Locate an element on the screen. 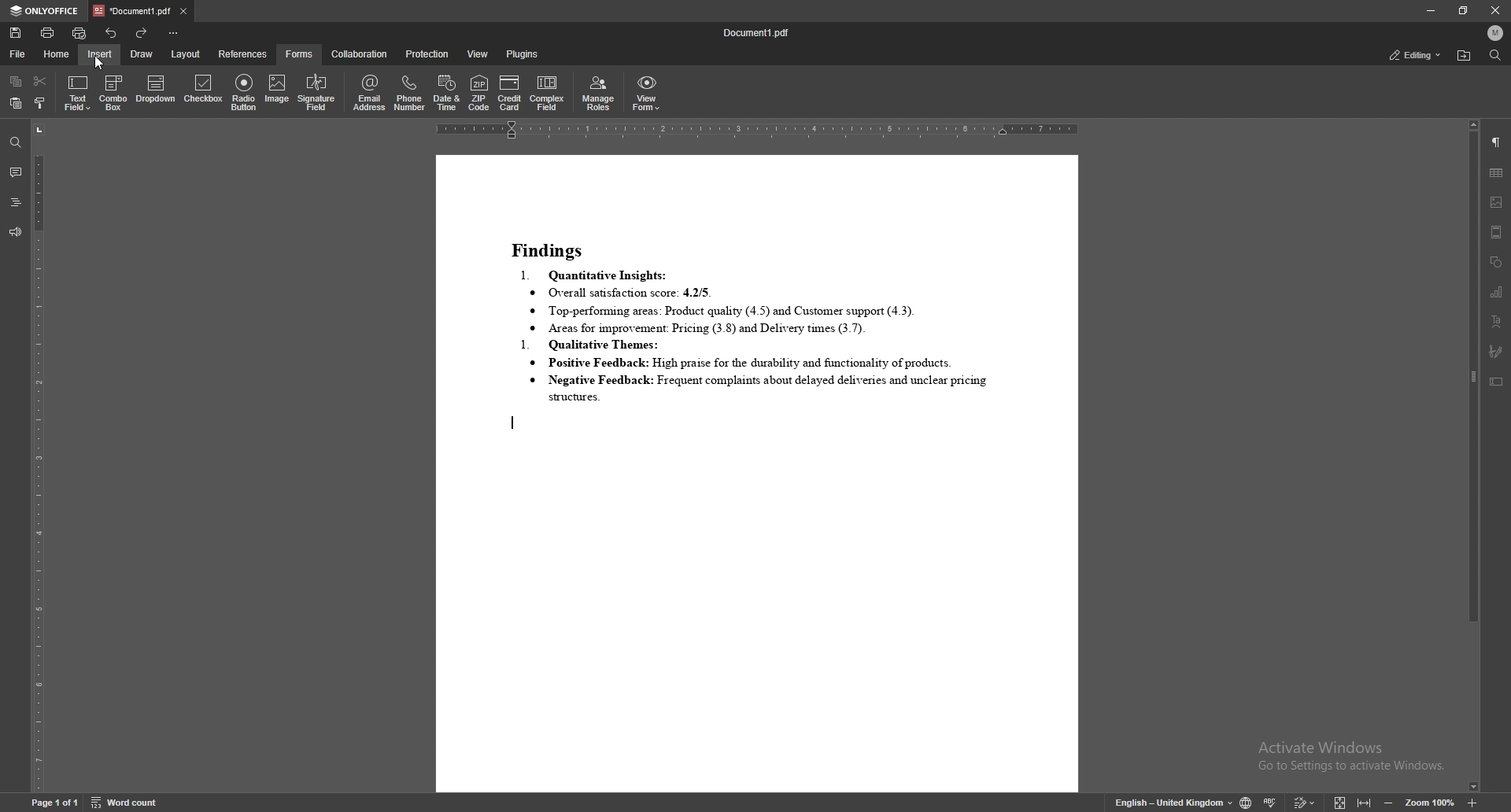  protection is located at coordinates (427, 54).